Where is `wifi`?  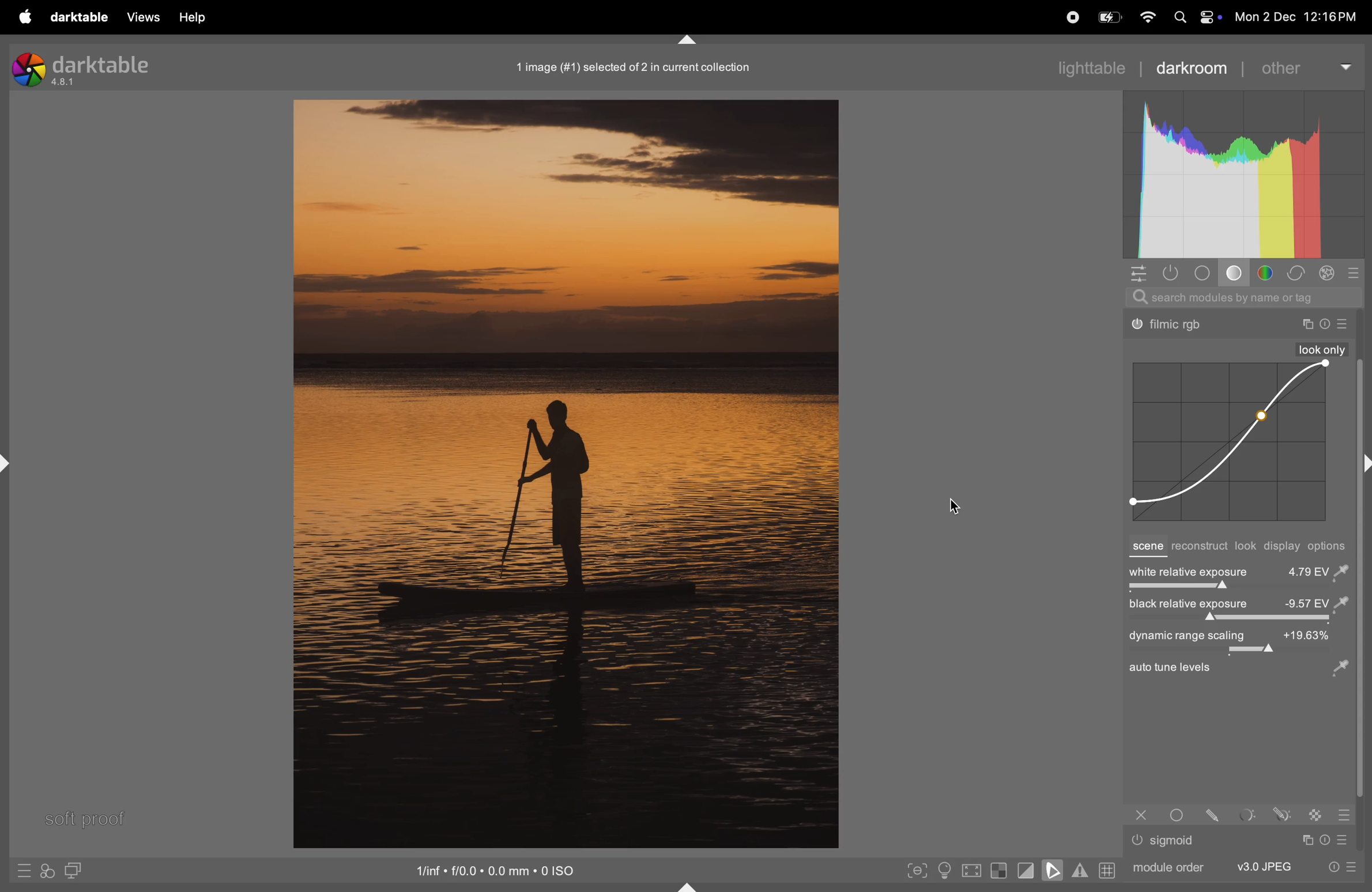 wifi is located at coordinates (1146, 18).